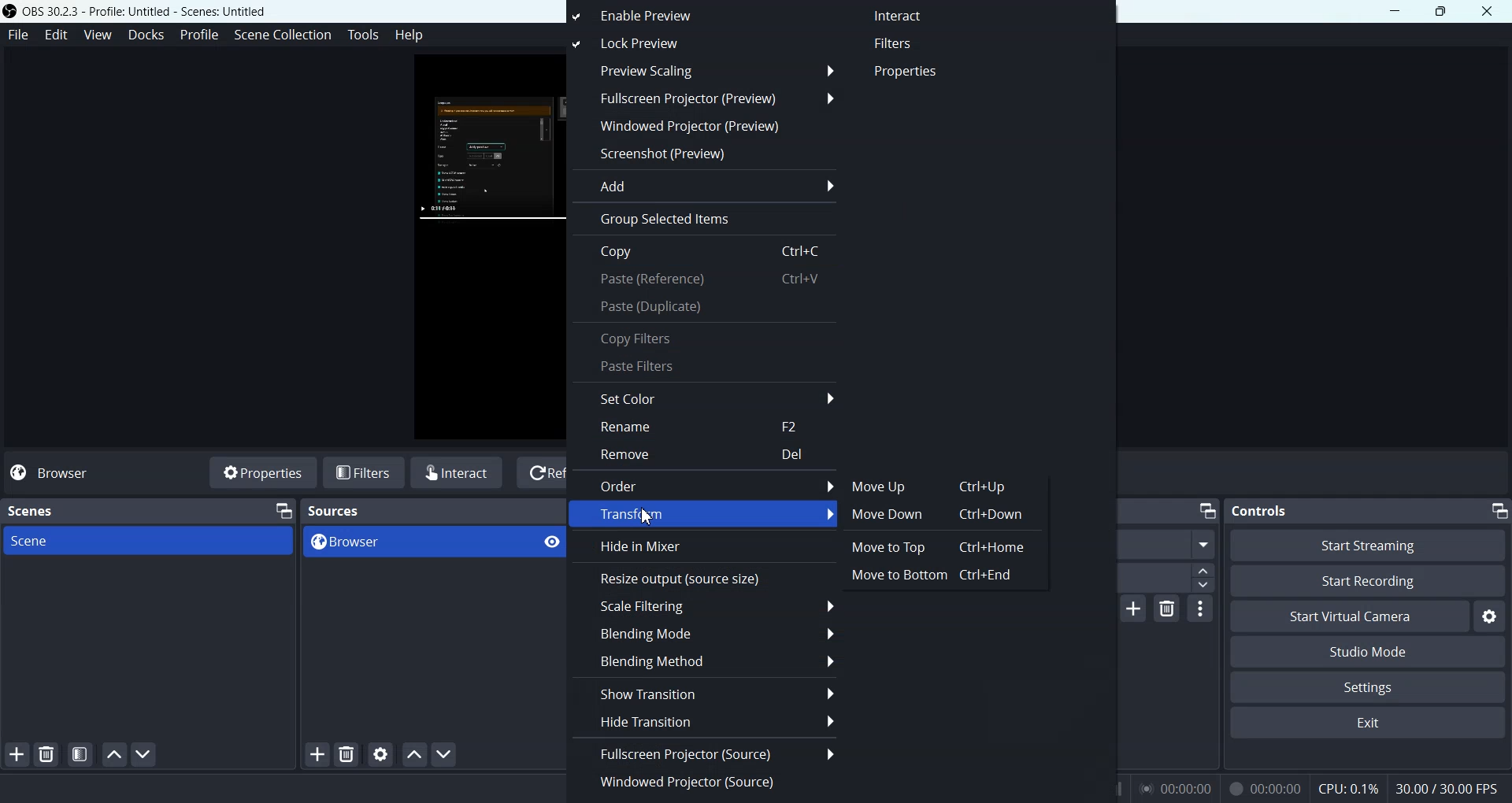 Image resolution: width=1512 pixels, height=803 pixels. Describe the element at coordinates (1447, 787) in the screenshot. I see `30.00 / 30.00 FPS` at that location.